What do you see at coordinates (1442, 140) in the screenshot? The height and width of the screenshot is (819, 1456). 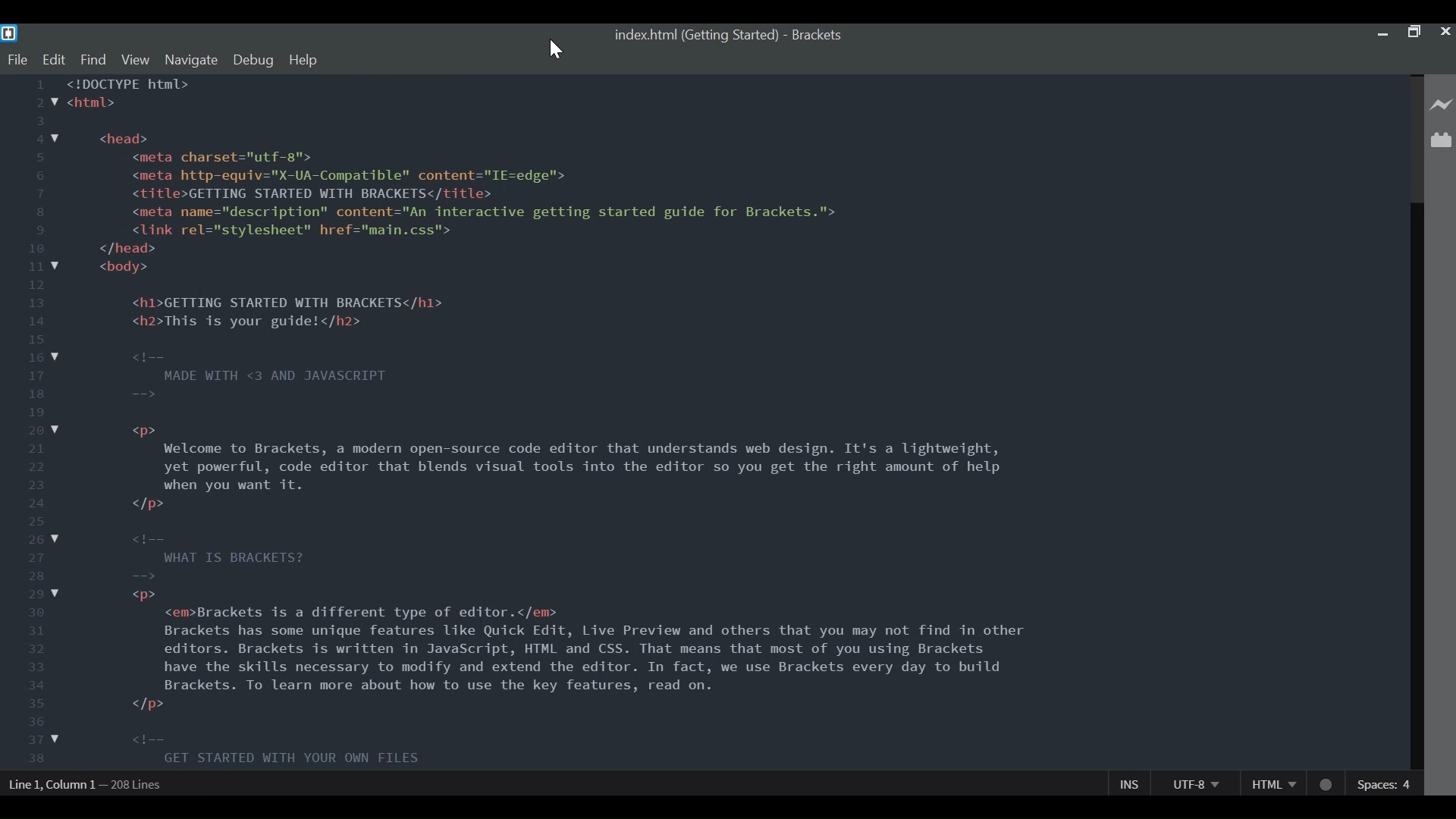 I see `Extension Manager` at bounding box center [1442, 140].